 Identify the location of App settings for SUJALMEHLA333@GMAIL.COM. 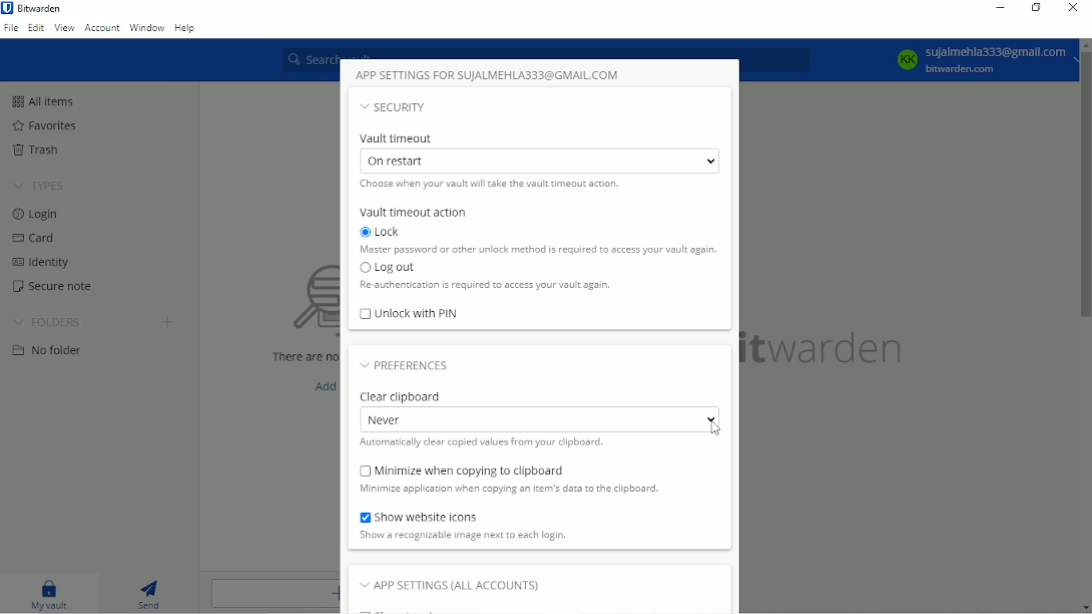
(494, 75).